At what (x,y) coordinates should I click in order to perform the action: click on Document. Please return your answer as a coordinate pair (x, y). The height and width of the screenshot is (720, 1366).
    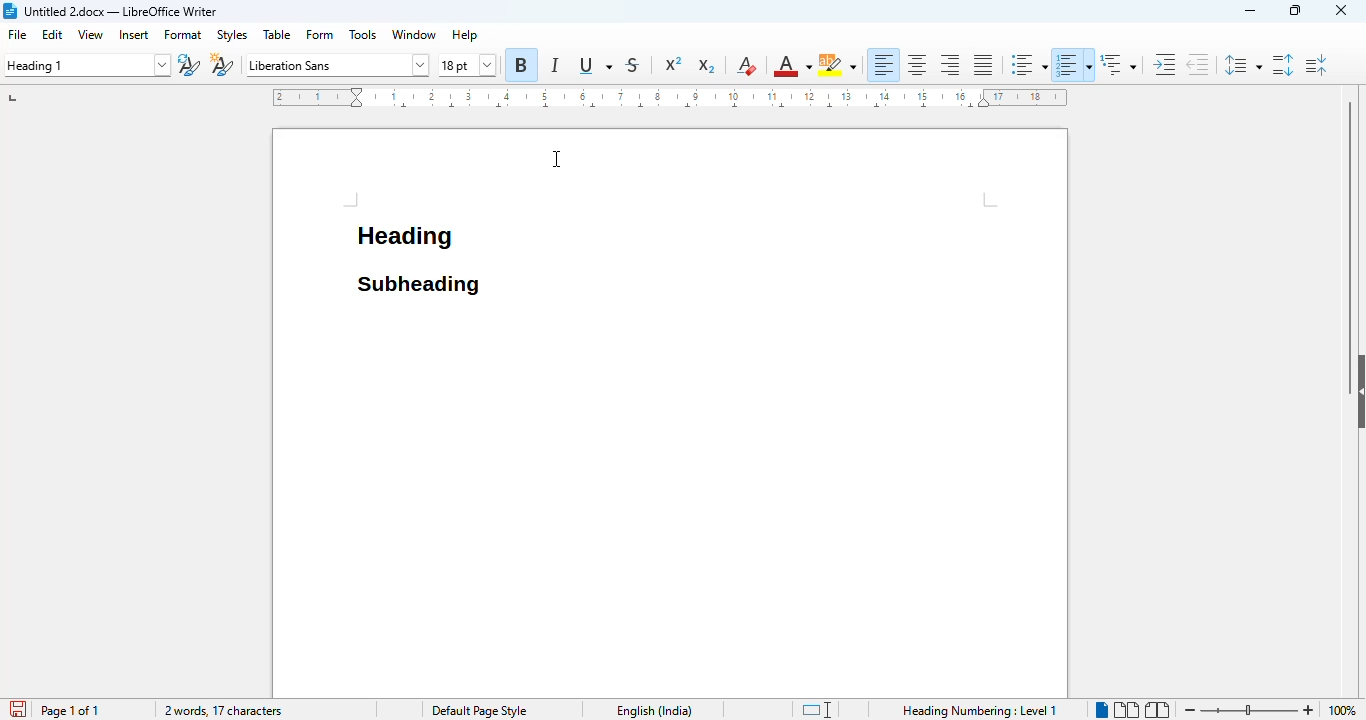
    Looking at the image, I should click on (671, 500).